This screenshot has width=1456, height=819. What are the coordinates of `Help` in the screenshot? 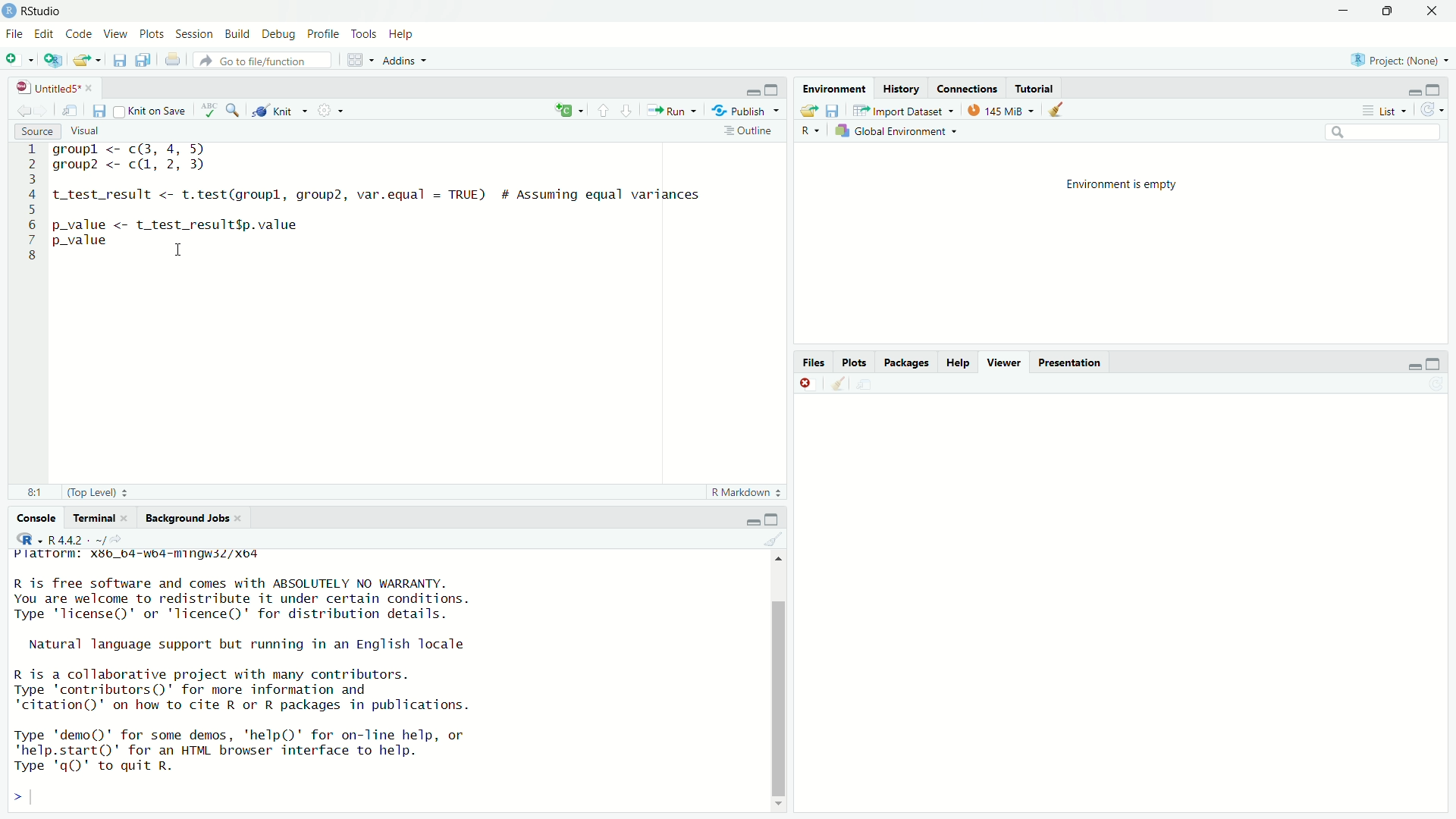 It's located at (403, 33).